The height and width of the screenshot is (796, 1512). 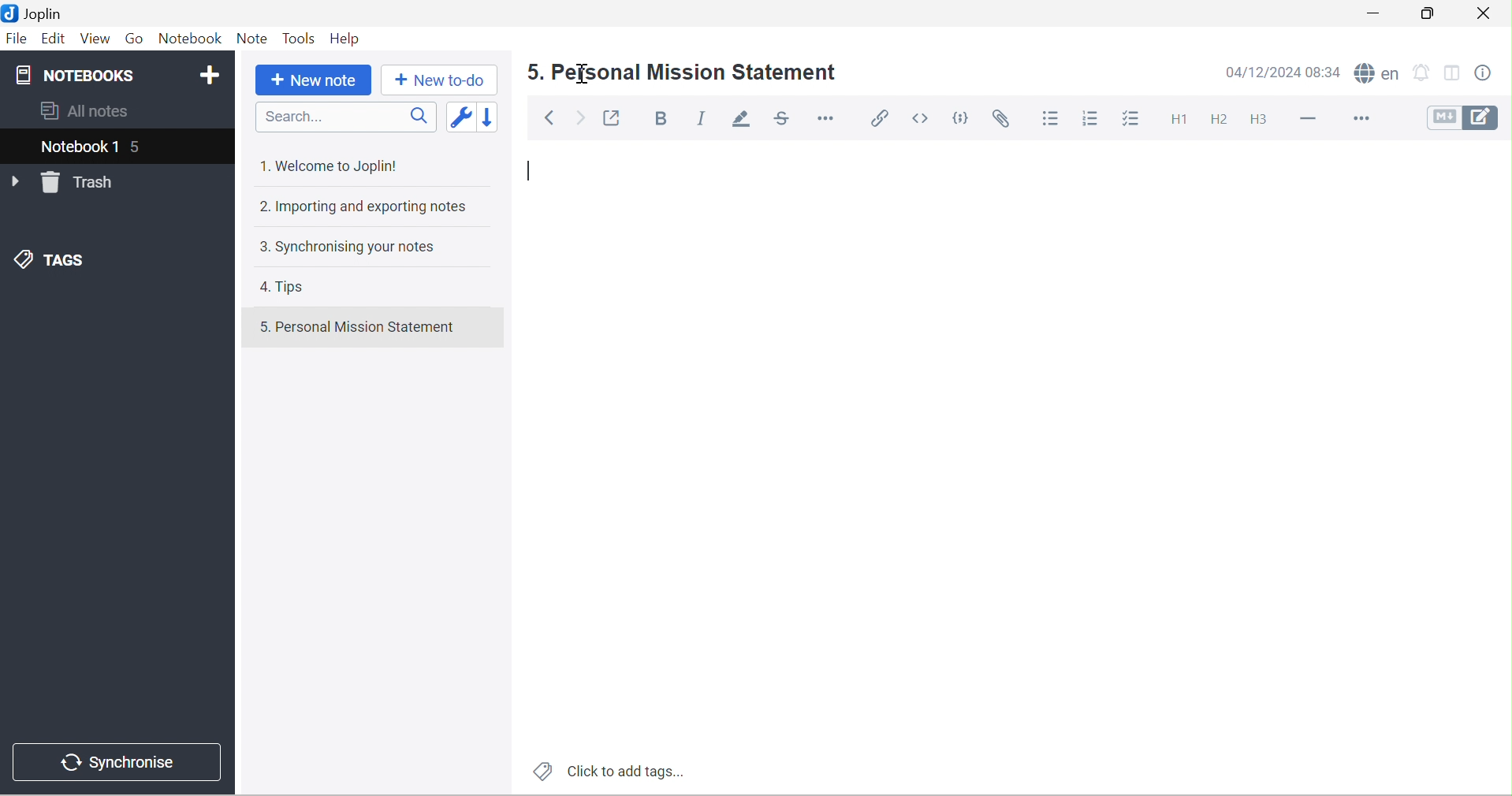 What do you see at coordinates (1493, 73) in the screenshot?
I see `Note properties` at bounding box center [1493, 73].